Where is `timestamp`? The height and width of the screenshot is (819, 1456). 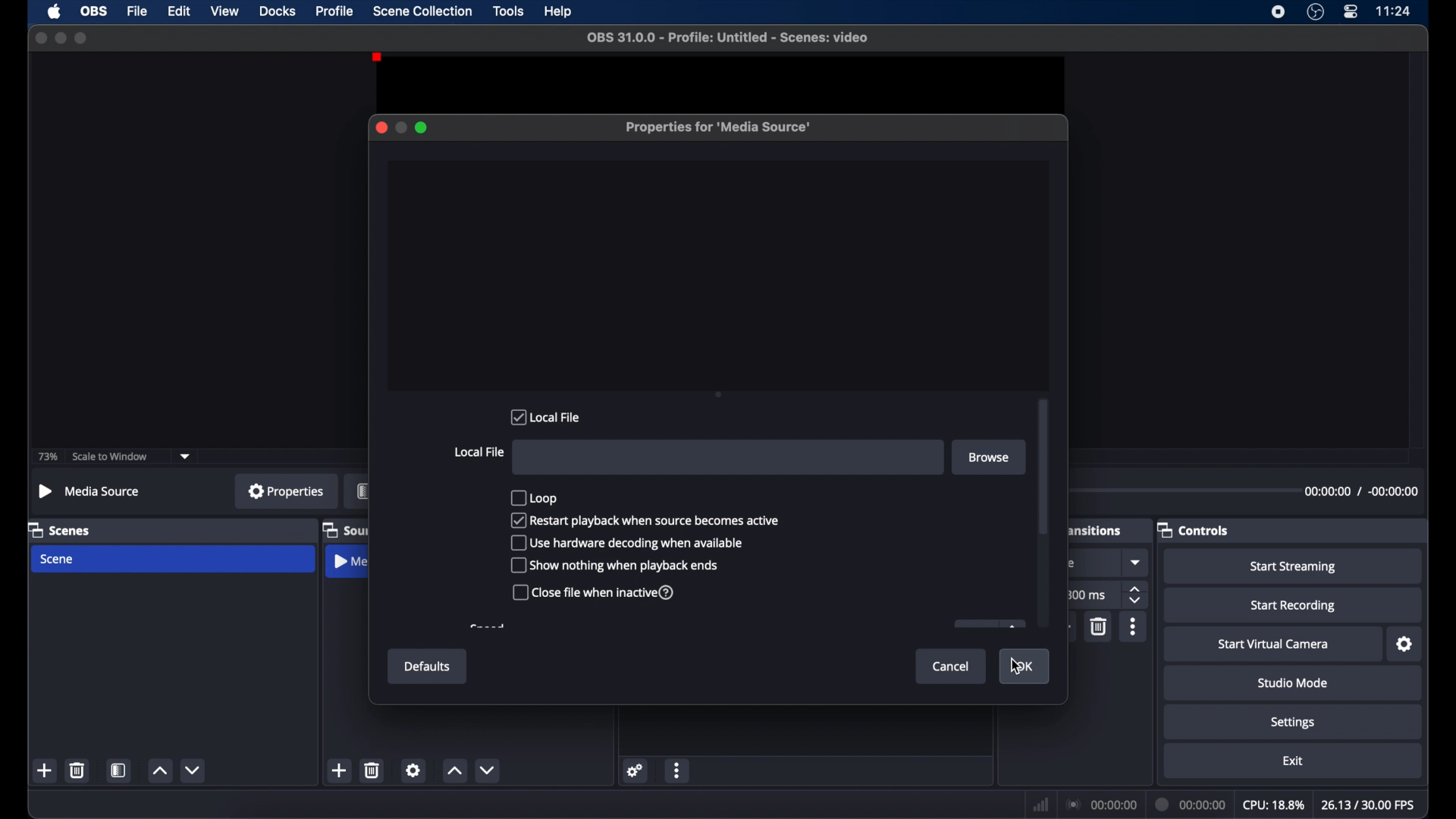 timestamp is located at coordinates (1362, 491).